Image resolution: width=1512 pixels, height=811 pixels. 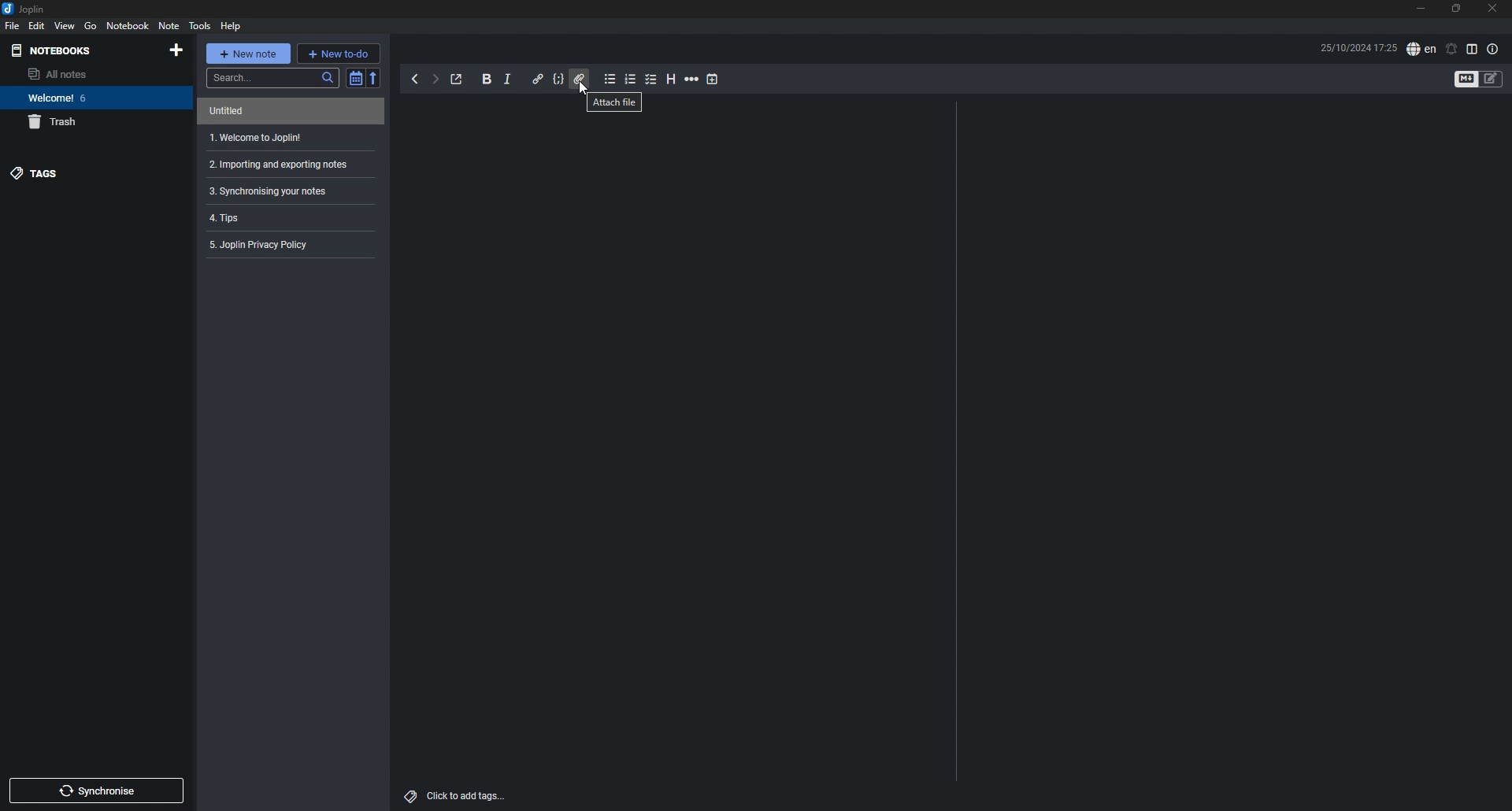 I want to click on tools, so click(x=200, y=26).